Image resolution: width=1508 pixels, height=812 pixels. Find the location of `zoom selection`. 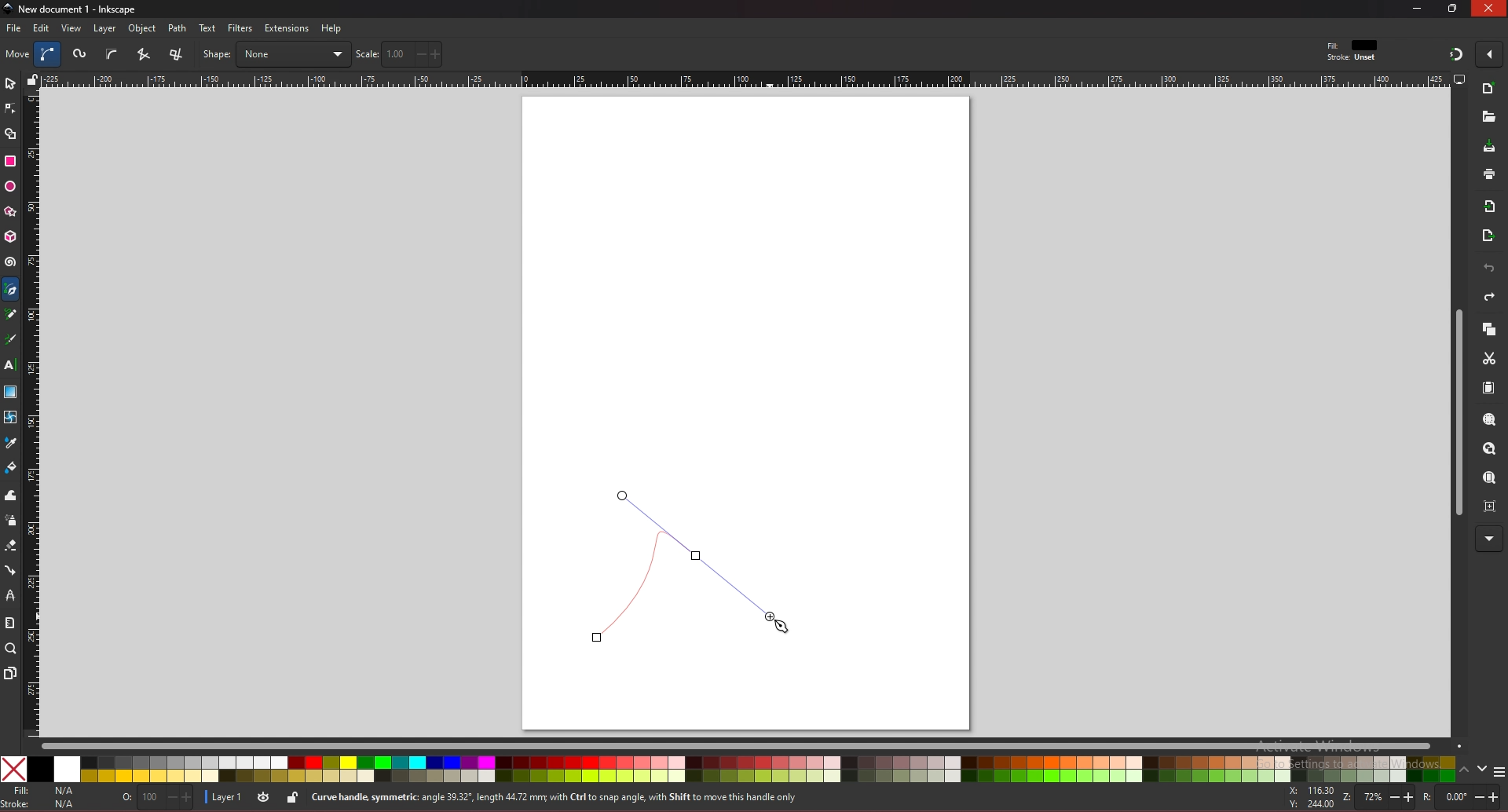

zoom selection is located at coordinates (1491, 421).